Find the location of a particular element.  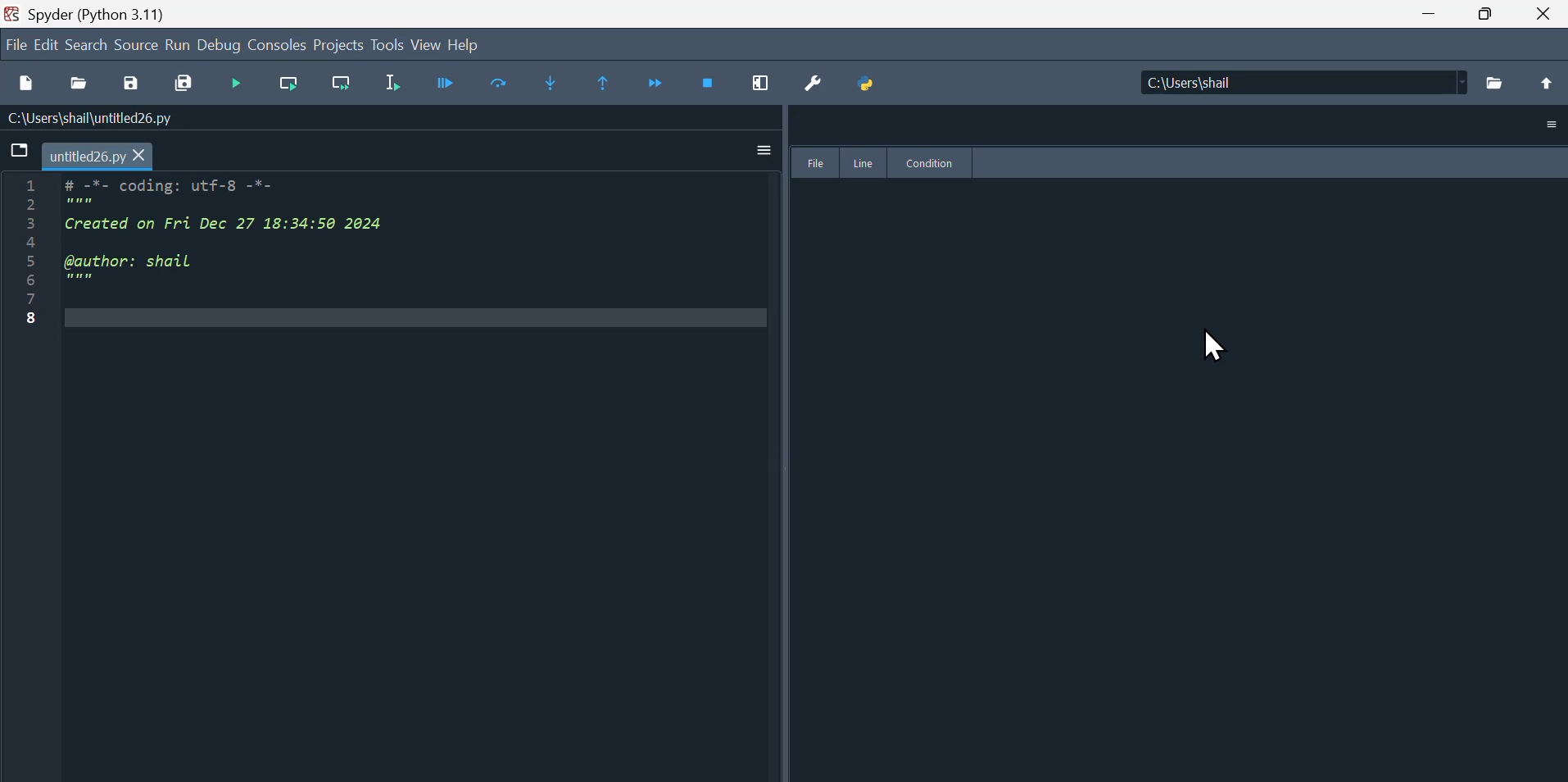

Debug file is located at coordinates (446, 84).